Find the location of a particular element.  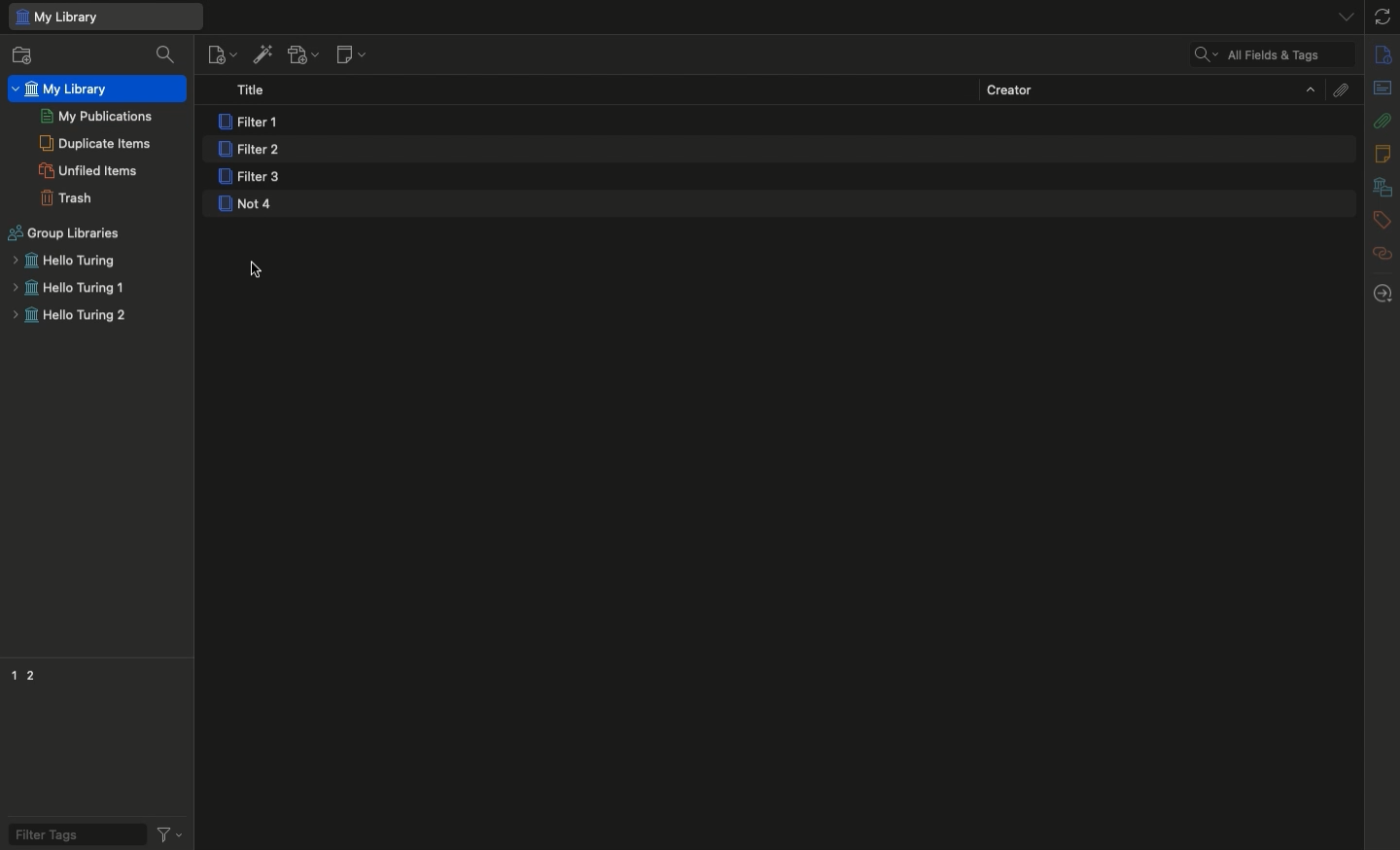

Add items by identifier is located at coordinates (262, 54).